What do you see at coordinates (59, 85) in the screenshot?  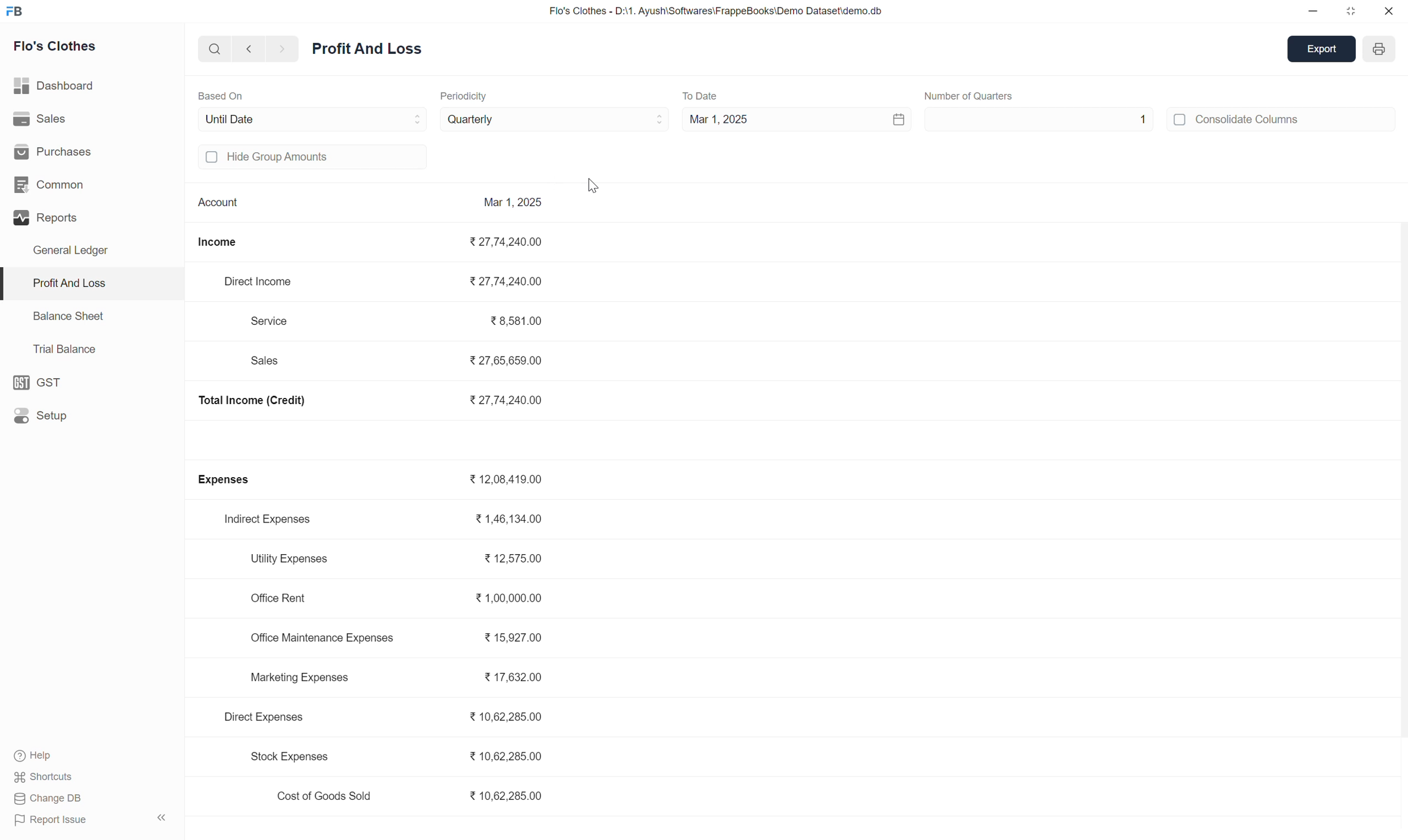 I see `Dashboard` at bounding box center [59, 85].